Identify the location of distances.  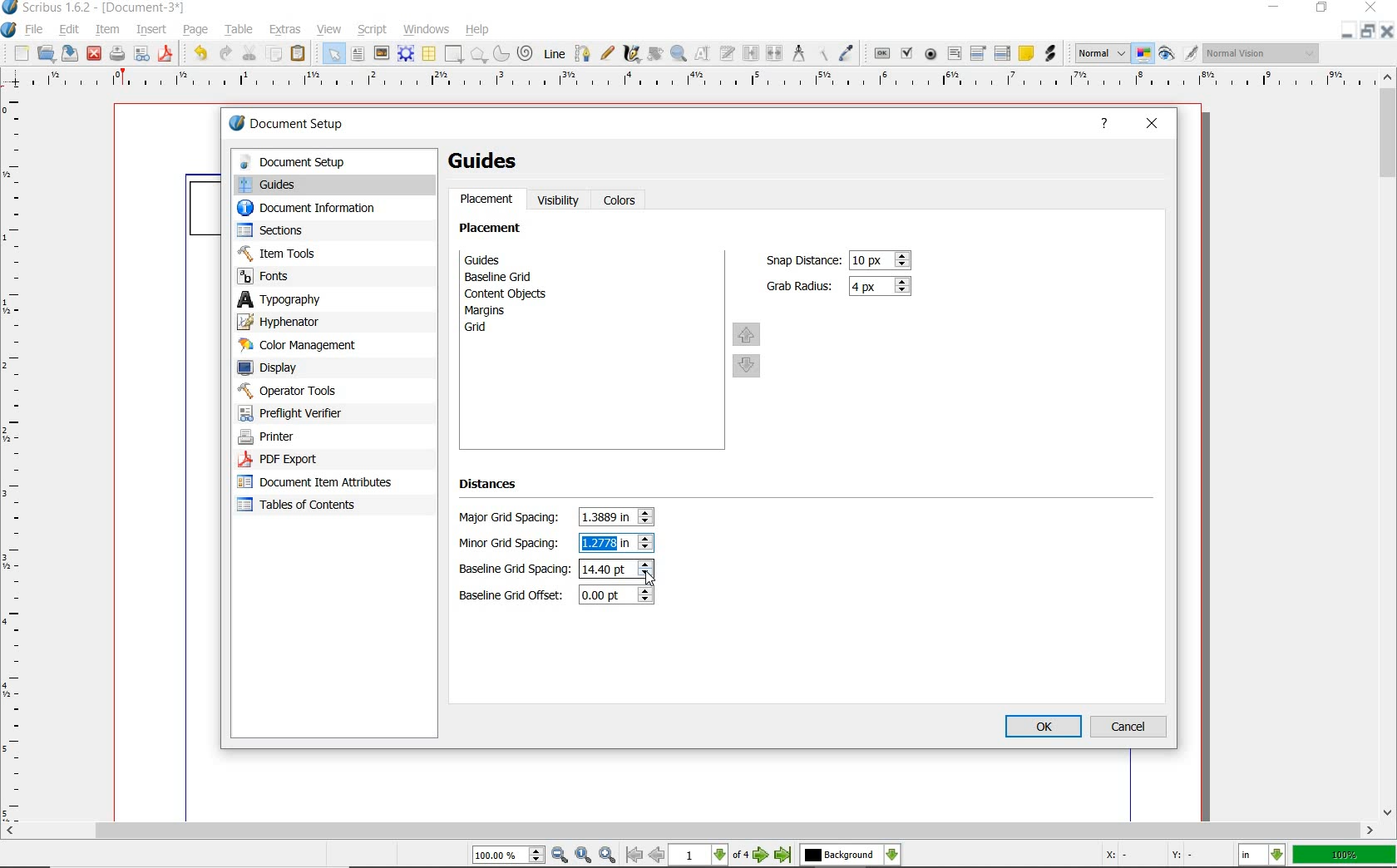
(496, 487).